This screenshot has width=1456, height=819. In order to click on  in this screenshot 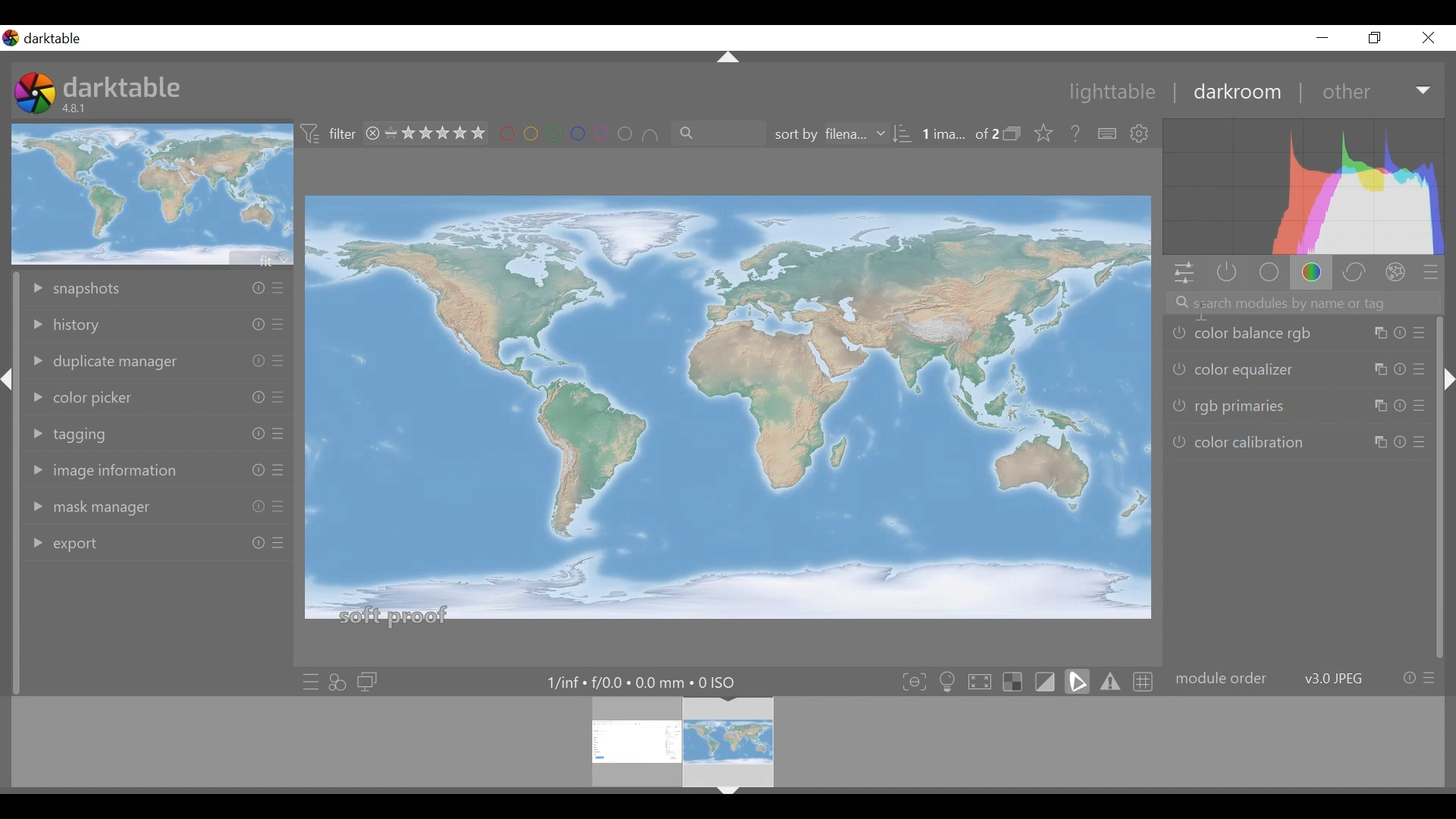, I will do `click(1420, 332)`.